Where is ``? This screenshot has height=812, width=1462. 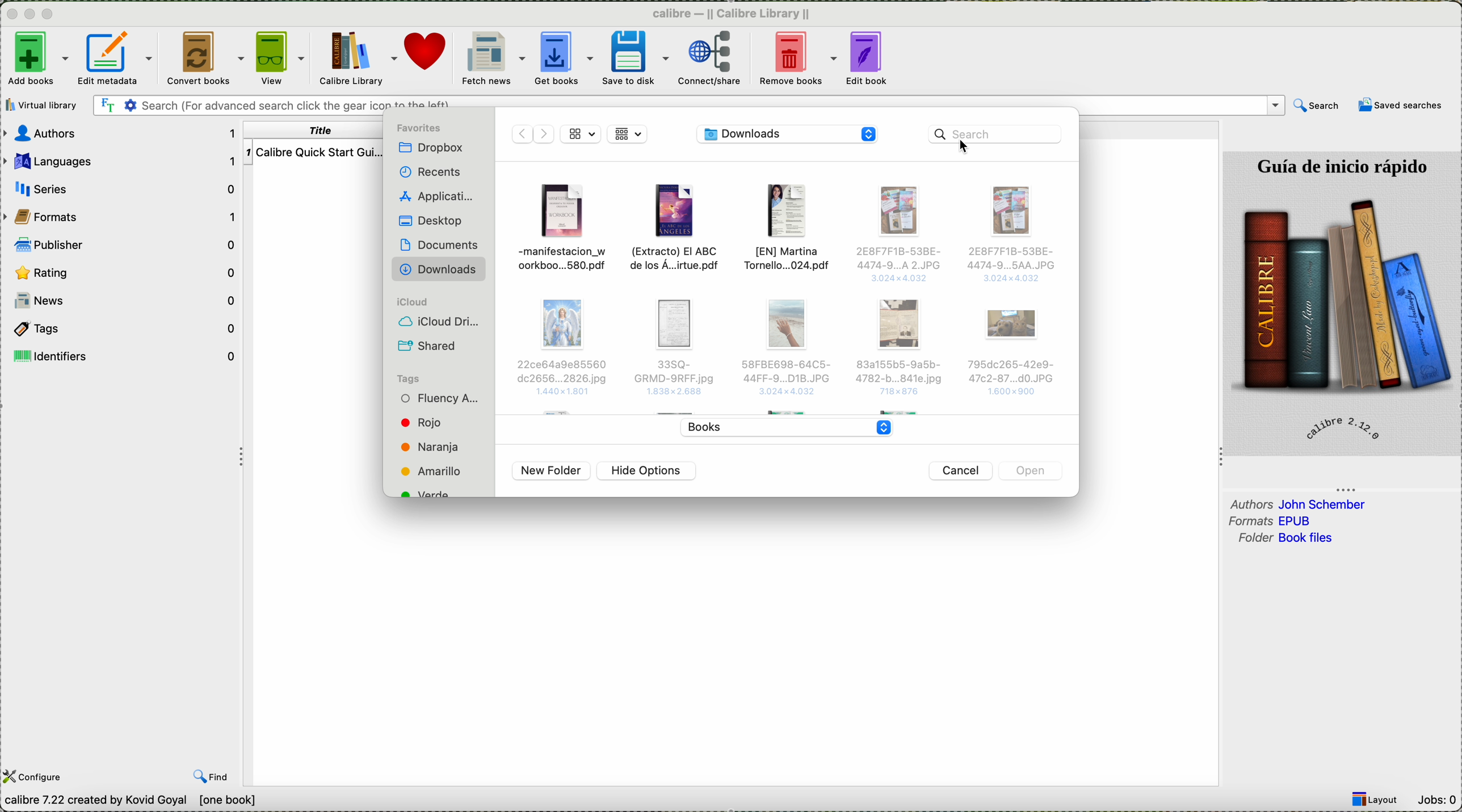  is located at coordinates (676, 347).